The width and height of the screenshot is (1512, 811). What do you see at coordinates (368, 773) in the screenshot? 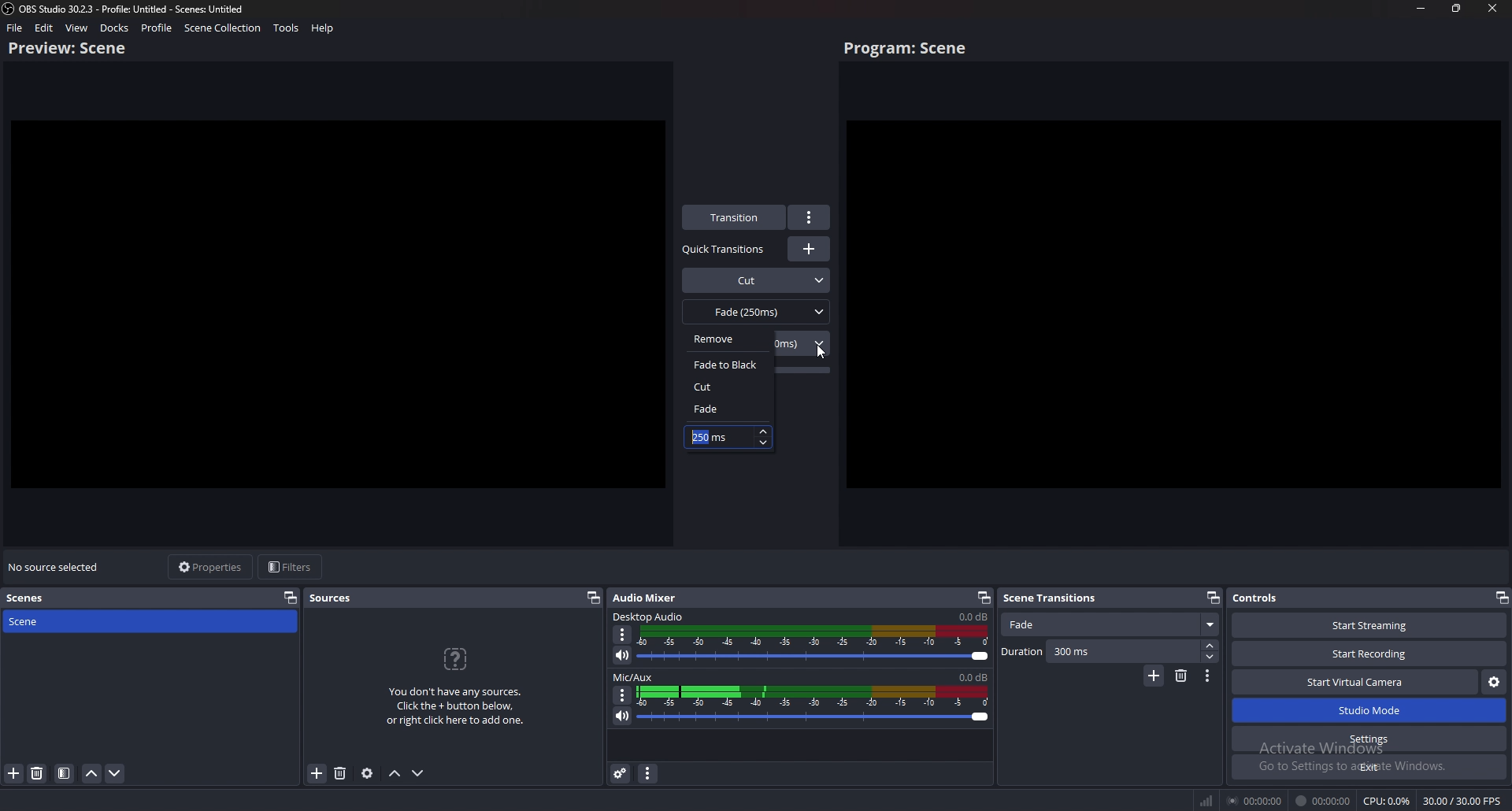
I see `Sources settings` at bounding box center [368, 773].